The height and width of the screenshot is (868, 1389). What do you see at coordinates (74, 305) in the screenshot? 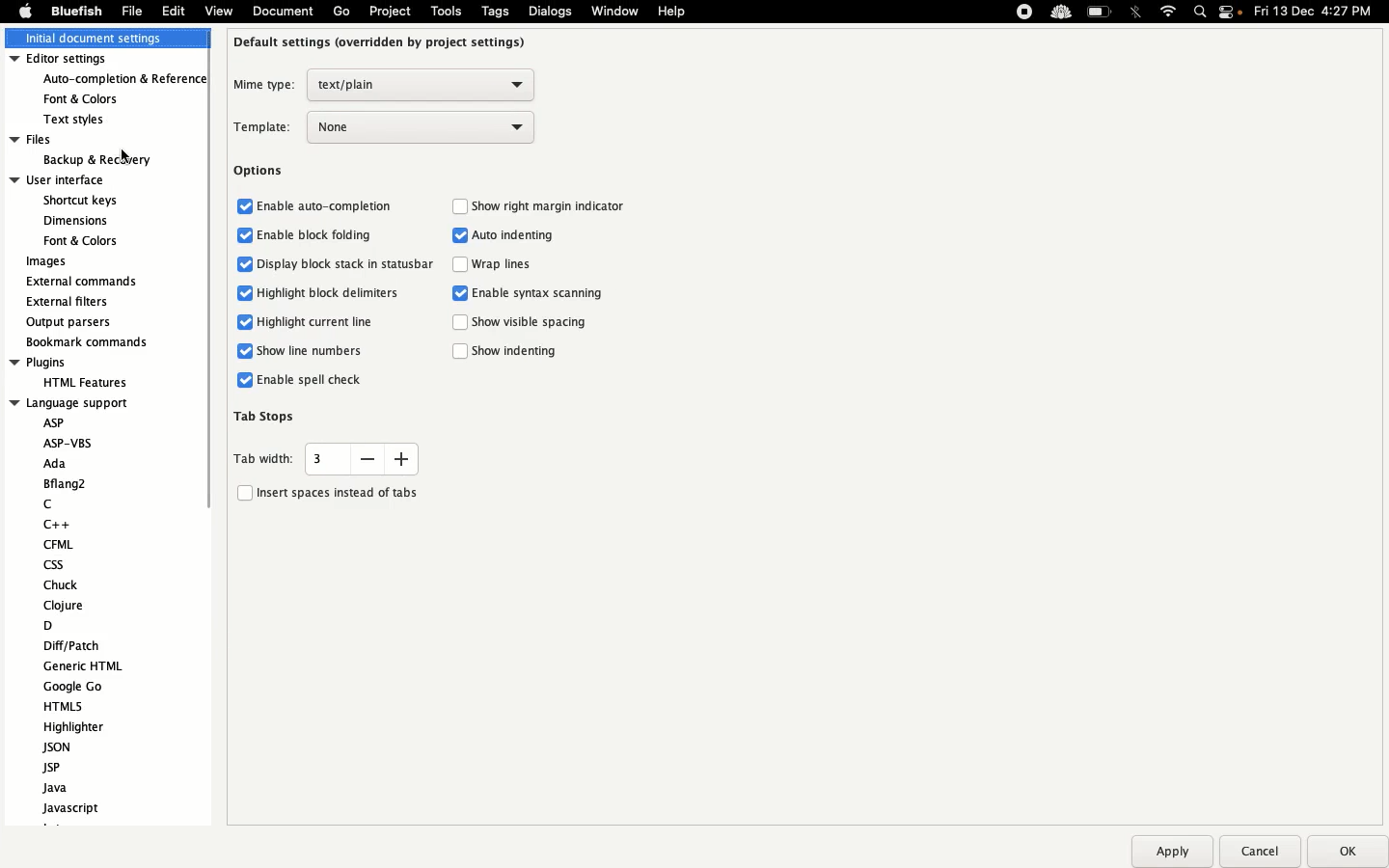
I see `External filters` at bounding box center [74, 305].